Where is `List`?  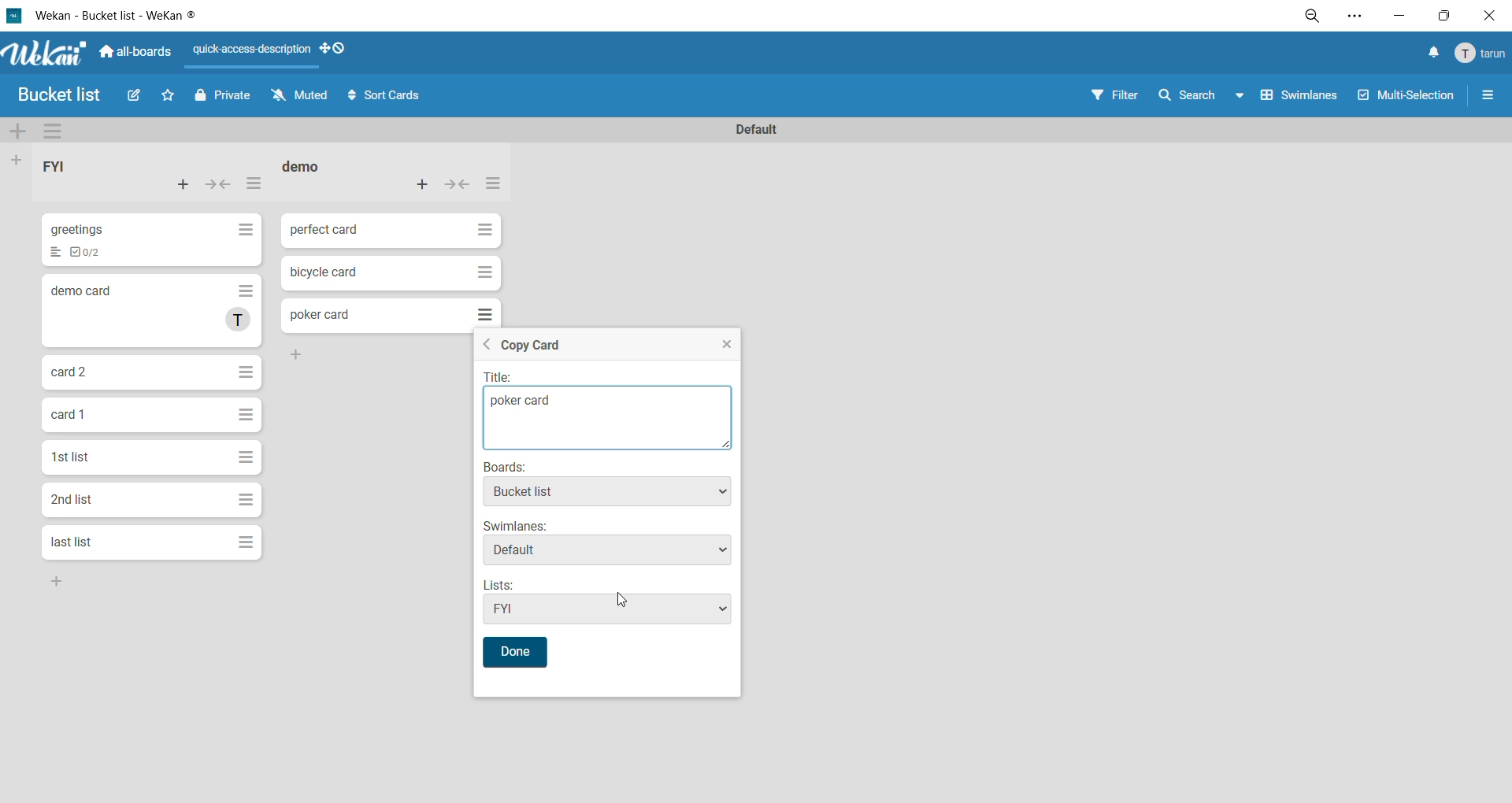 List is located at coordinates (53, 254).